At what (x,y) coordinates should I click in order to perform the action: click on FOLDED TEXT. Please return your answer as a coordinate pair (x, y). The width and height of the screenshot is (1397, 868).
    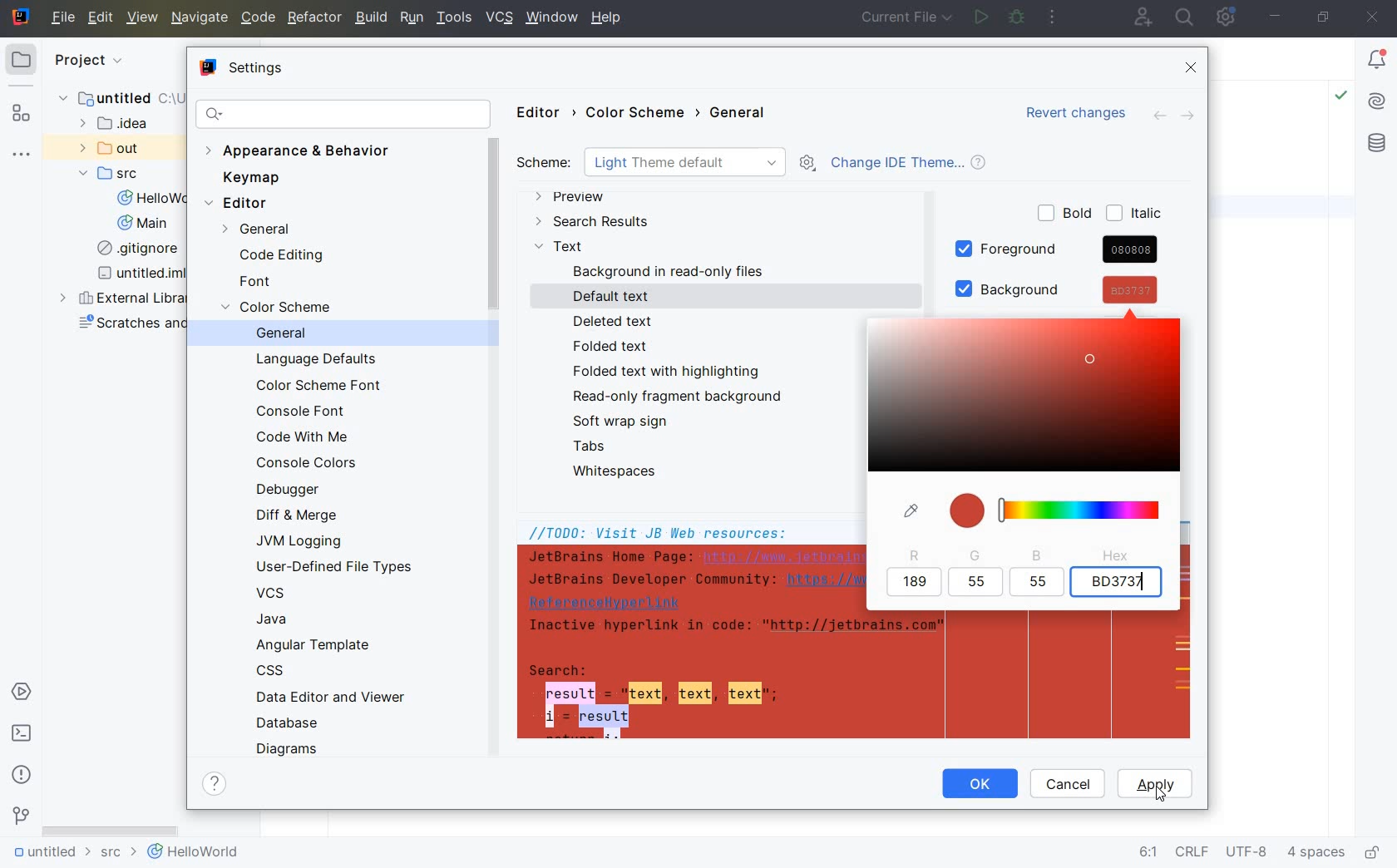
    Looking at the image, I should click on (615, 348).